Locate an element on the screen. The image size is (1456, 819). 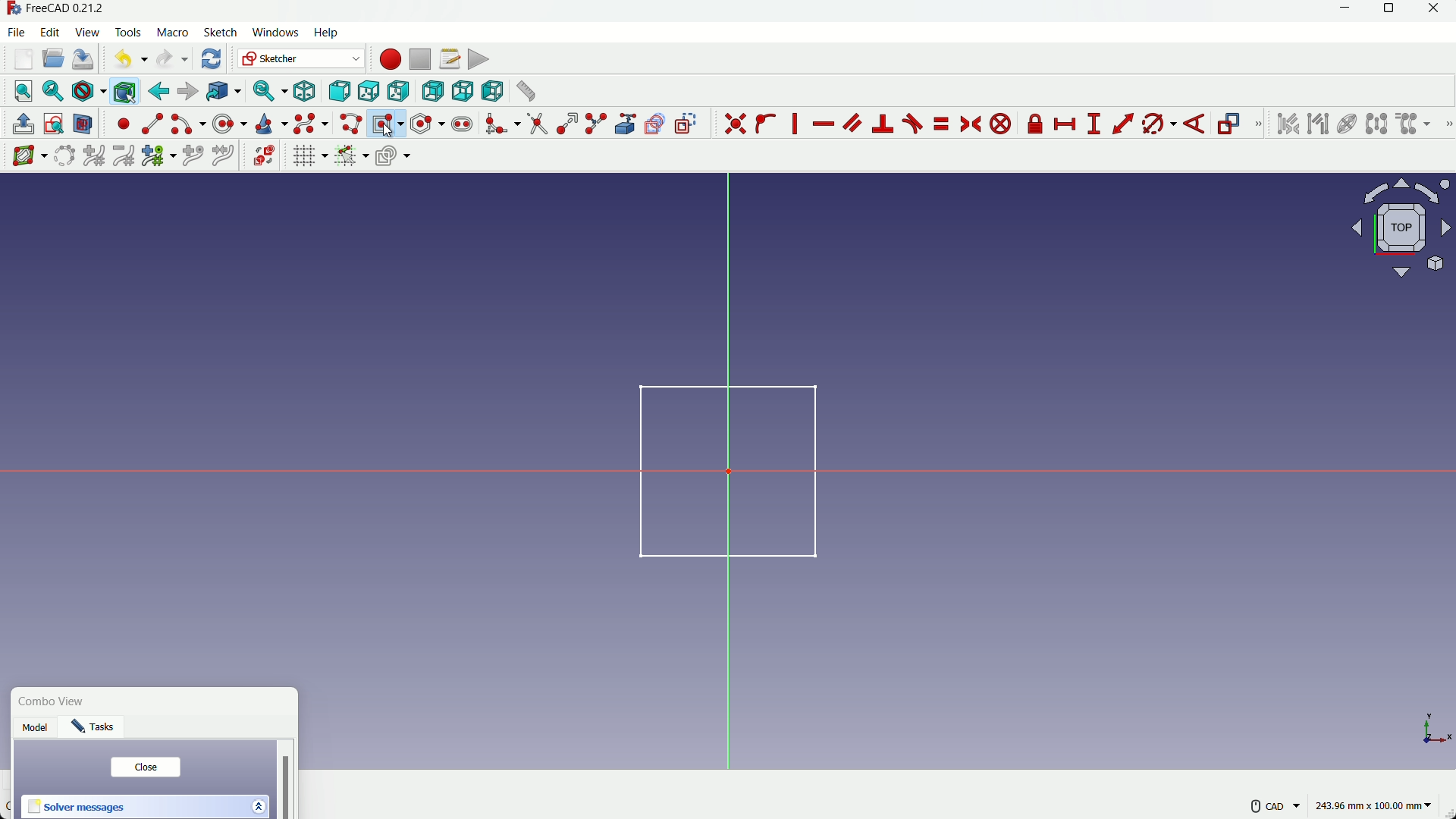
back view is located at coordinates (432, 92).